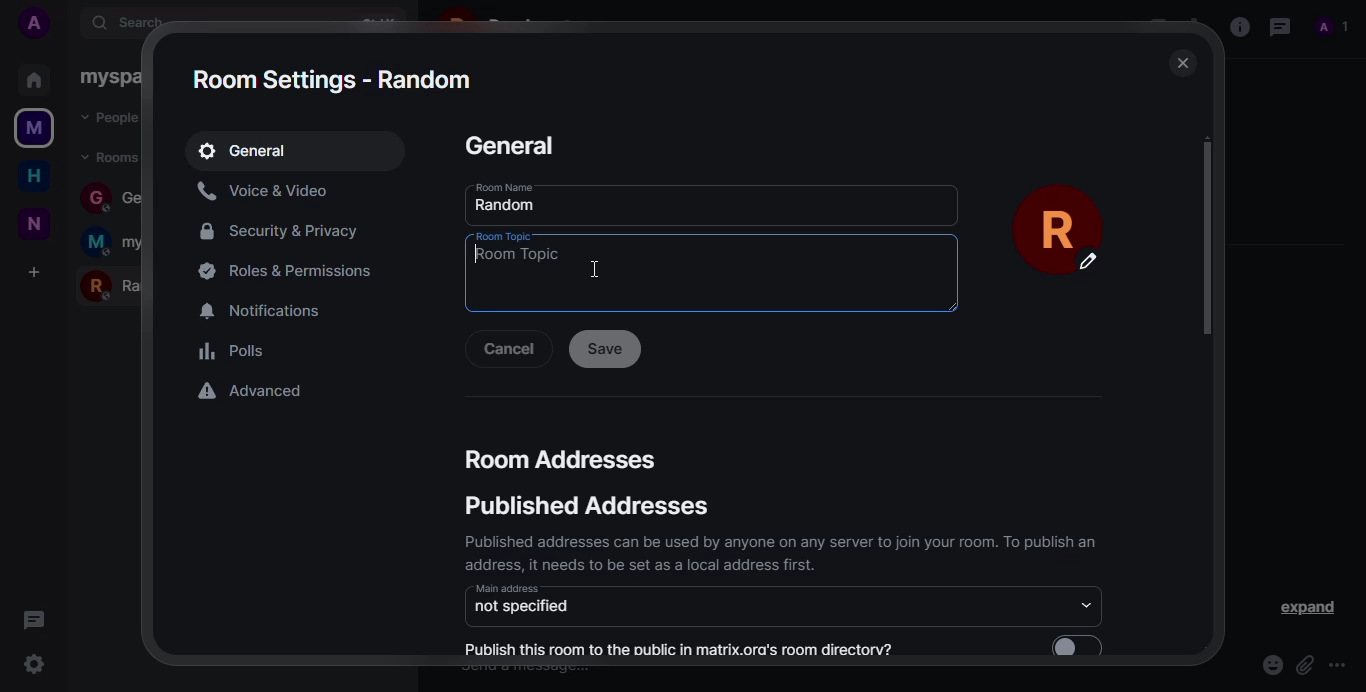 This screenshot has height=692, width=1366. Describe the element at coordinates (1315, 606) in the screenshot. I see `expand` at that location.